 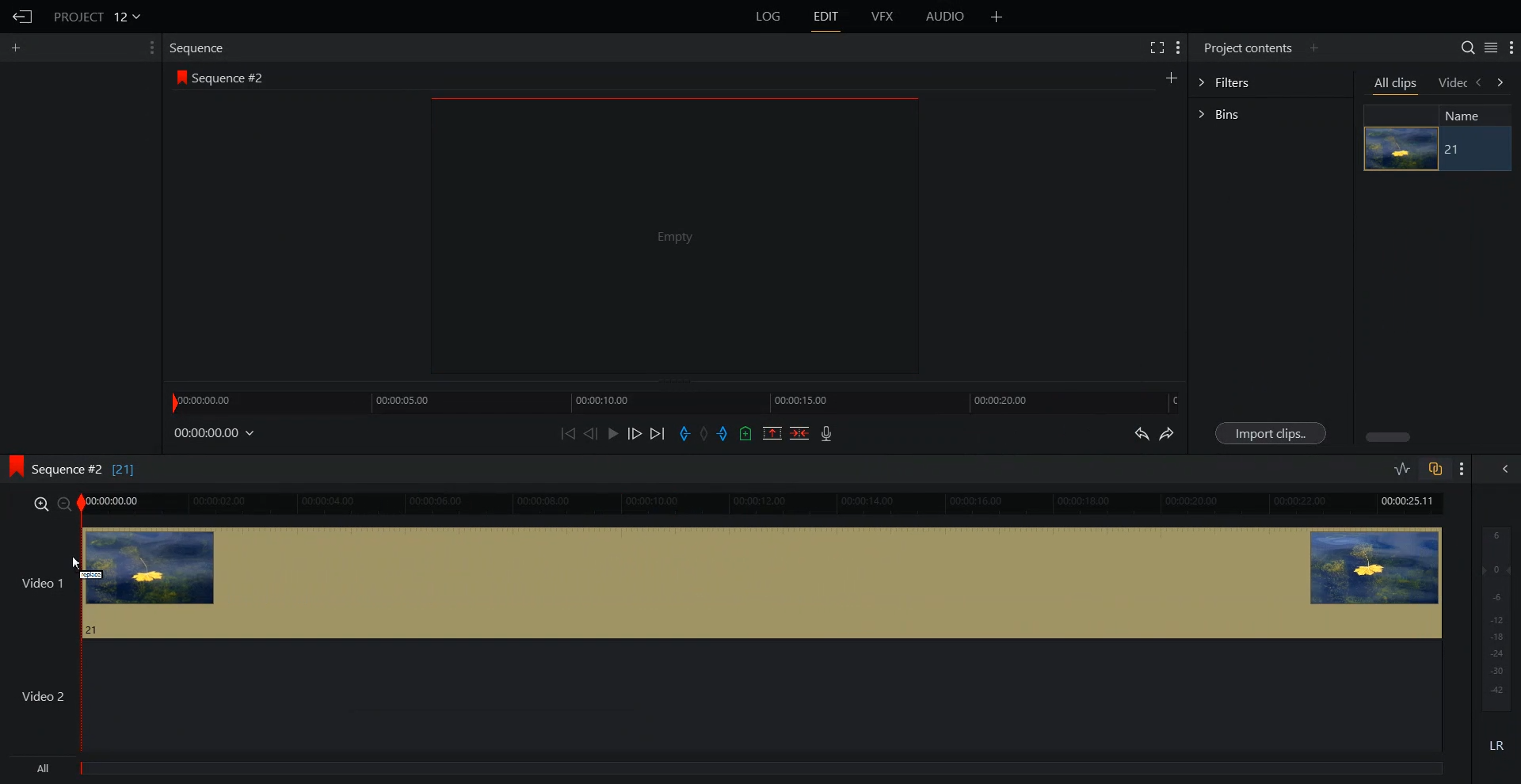 What do you see at coordinates (44, 695) in the screenshot?
I see `Video 2` at bounding box center [44, 695].